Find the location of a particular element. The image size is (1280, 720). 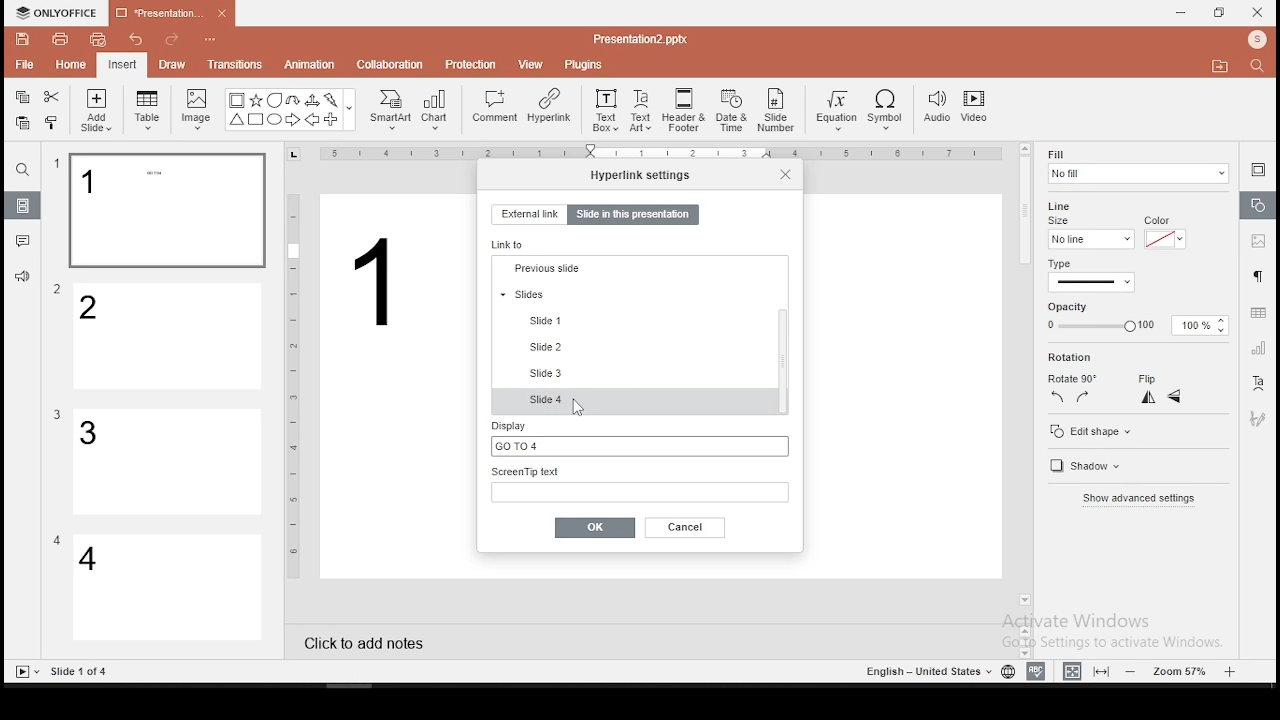

animation is located at coordinates (308, 66).